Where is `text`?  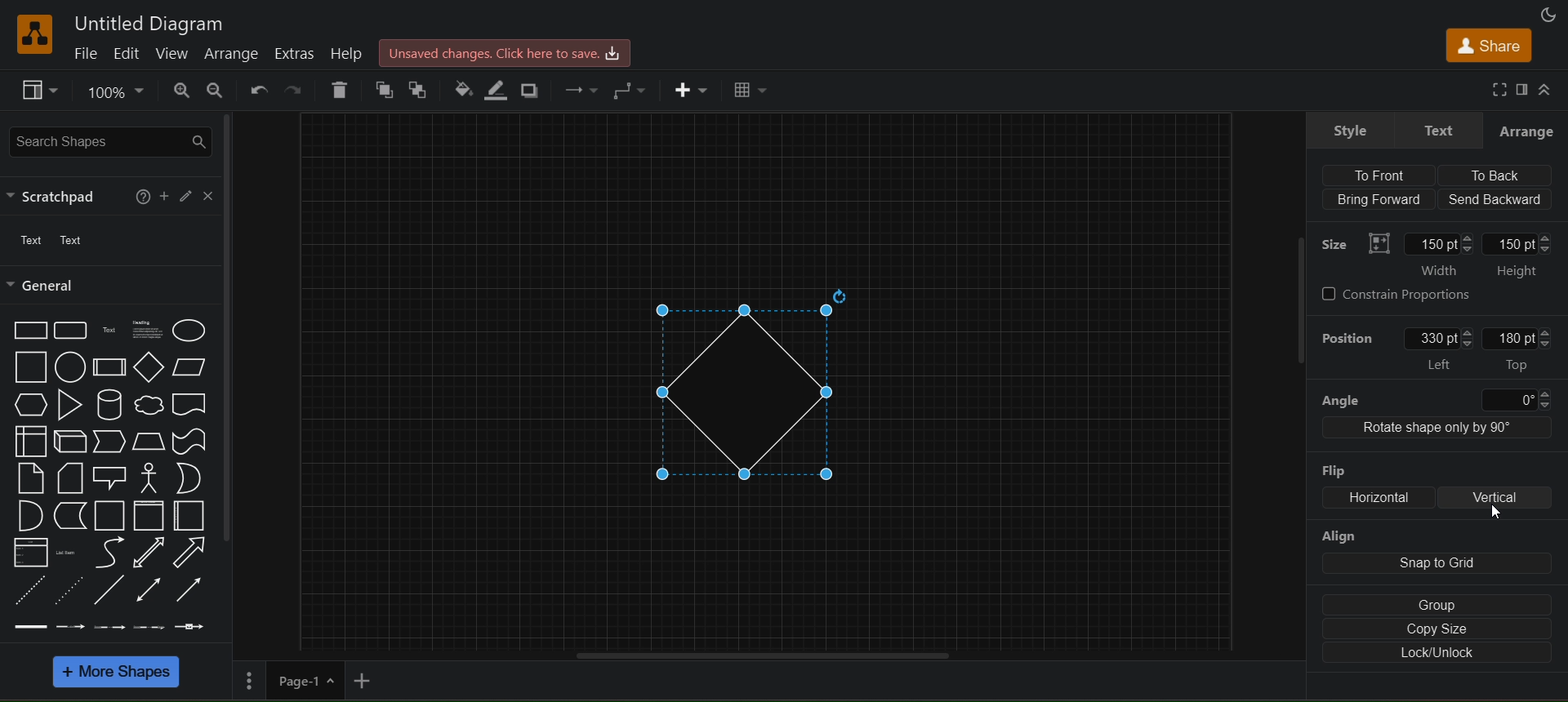 text is located at coordinates (109, 331).